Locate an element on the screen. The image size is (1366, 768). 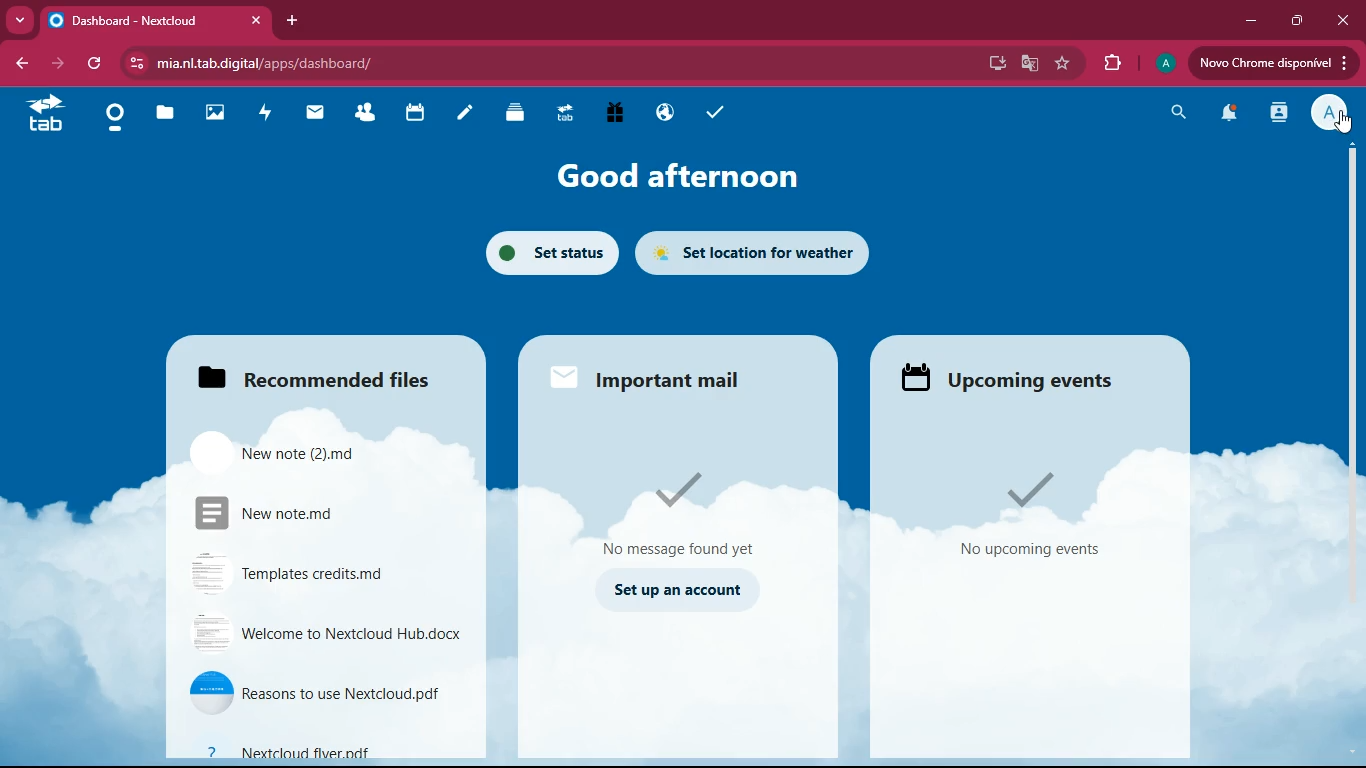
upload is located at coordinates (1274, 65).